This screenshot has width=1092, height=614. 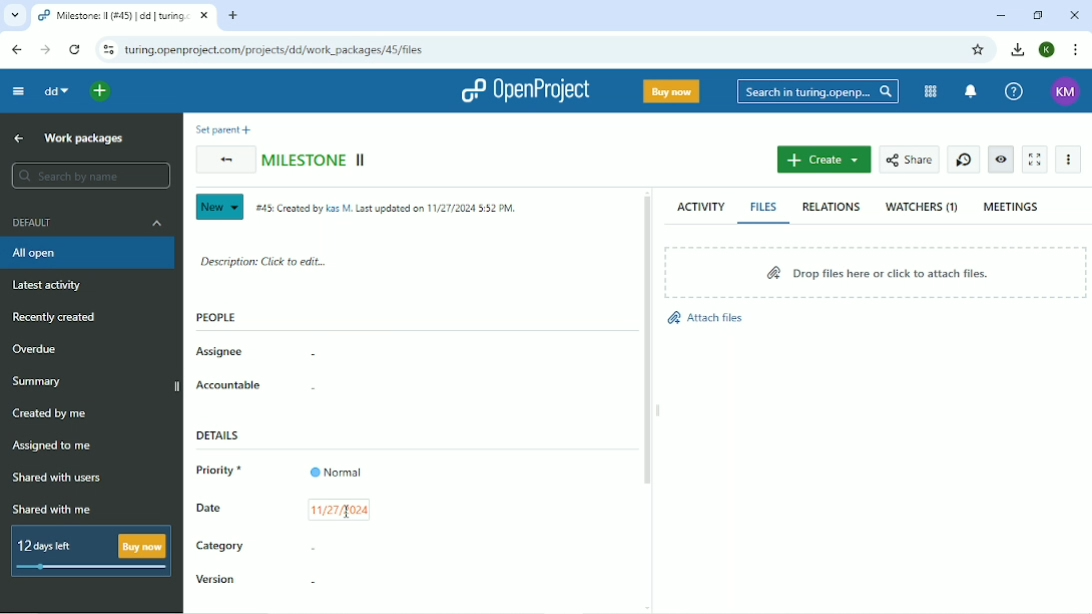 I want to click on K, so click(x=1048, y=50).